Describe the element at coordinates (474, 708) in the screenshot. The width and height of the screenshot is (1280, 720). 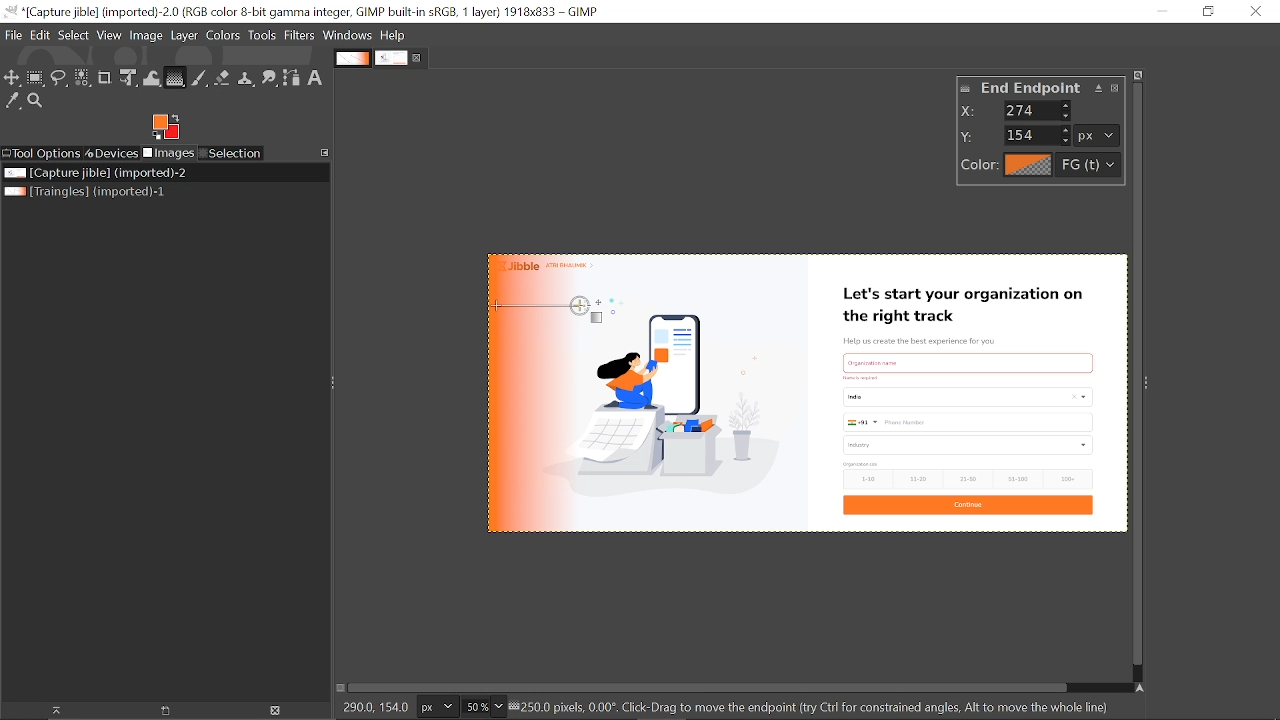
I see `Current zoom` at that location.